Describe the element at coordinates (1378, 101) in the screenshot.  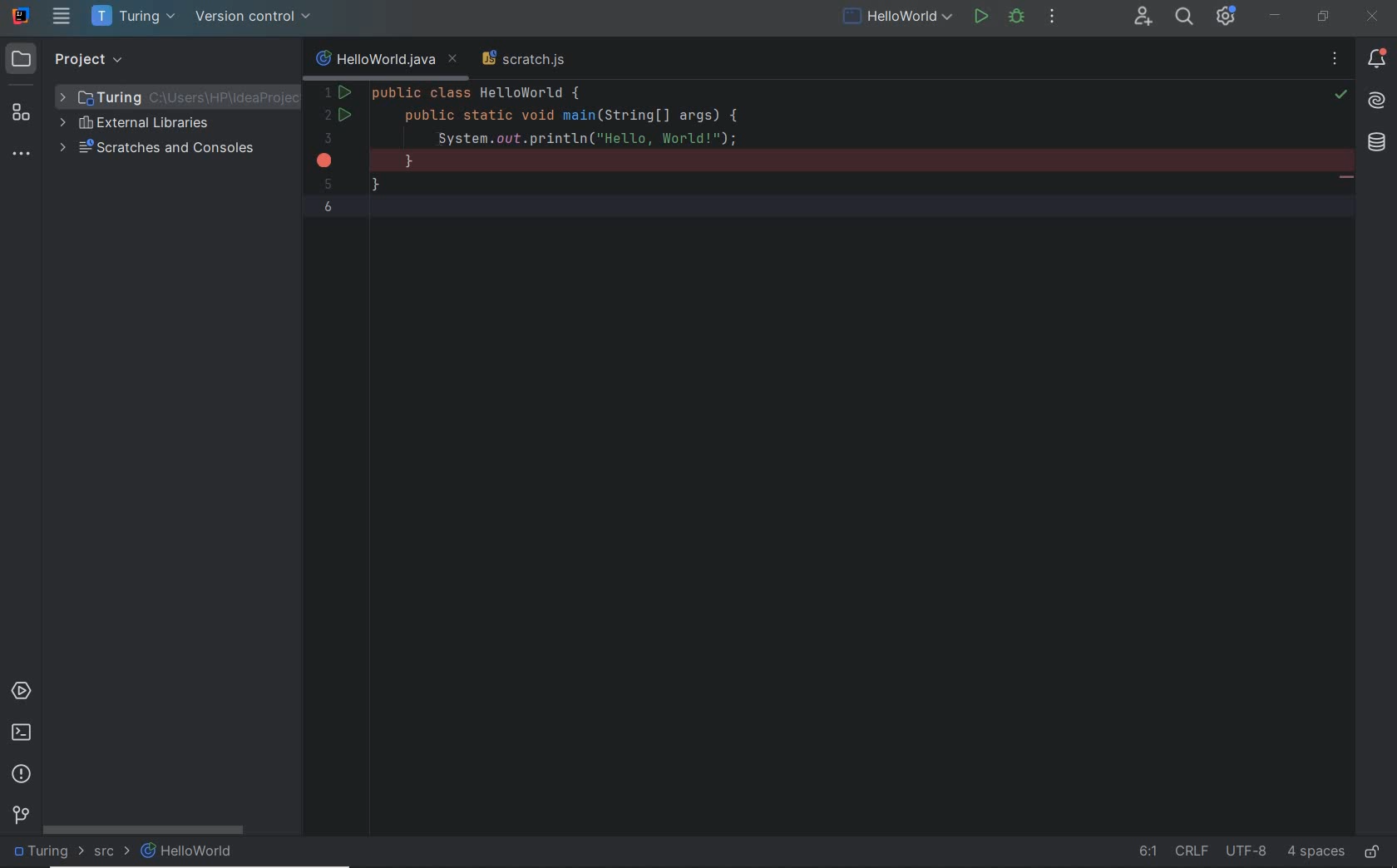
I see `AI Assistant` at that location.